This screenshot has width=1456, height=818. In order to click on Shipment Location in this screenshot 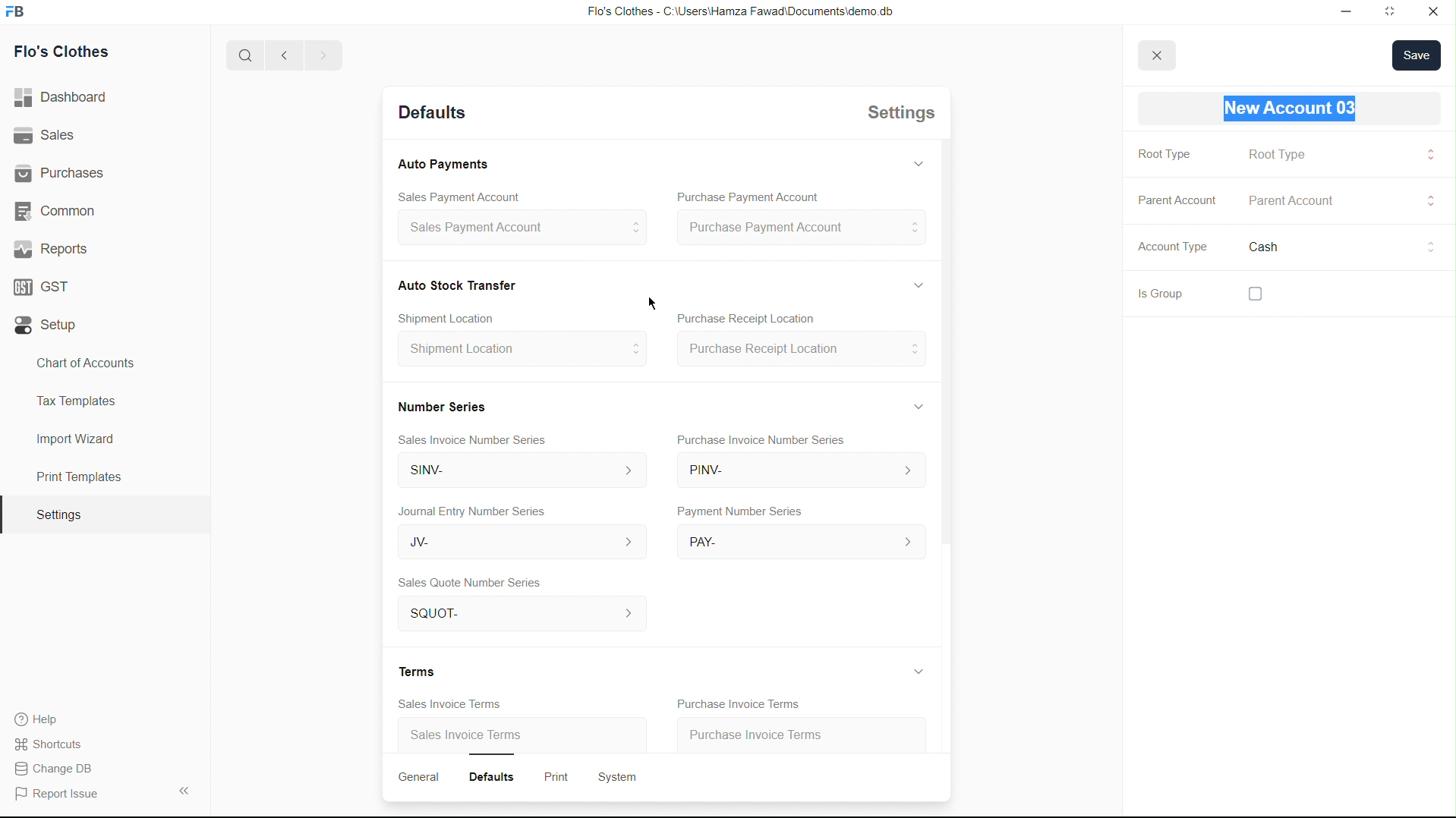, I will do `click(521, 354)`.